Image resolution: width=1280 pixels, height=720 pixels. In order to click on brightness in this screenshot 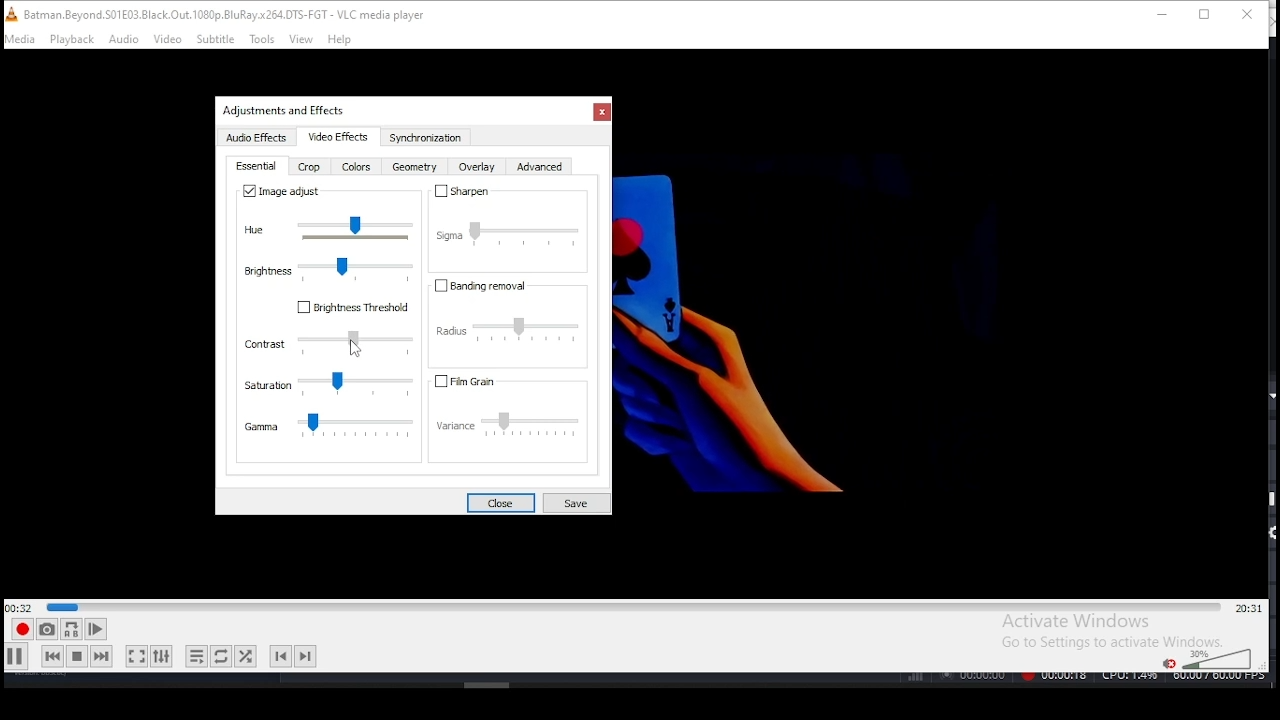, I will do `click(328, 267)`.